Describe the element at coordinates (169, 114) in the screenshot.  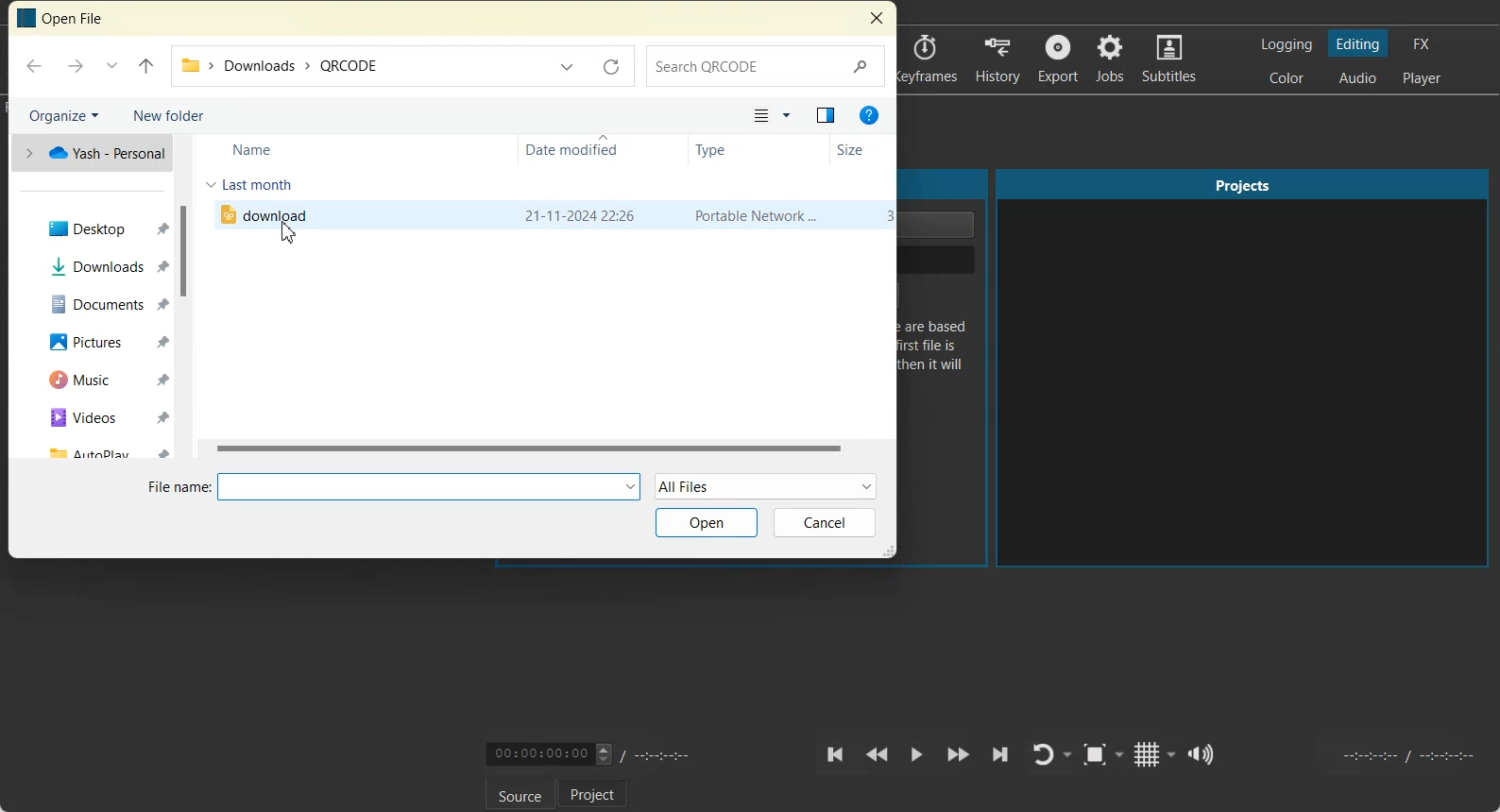
I see `New Folder` at that location.